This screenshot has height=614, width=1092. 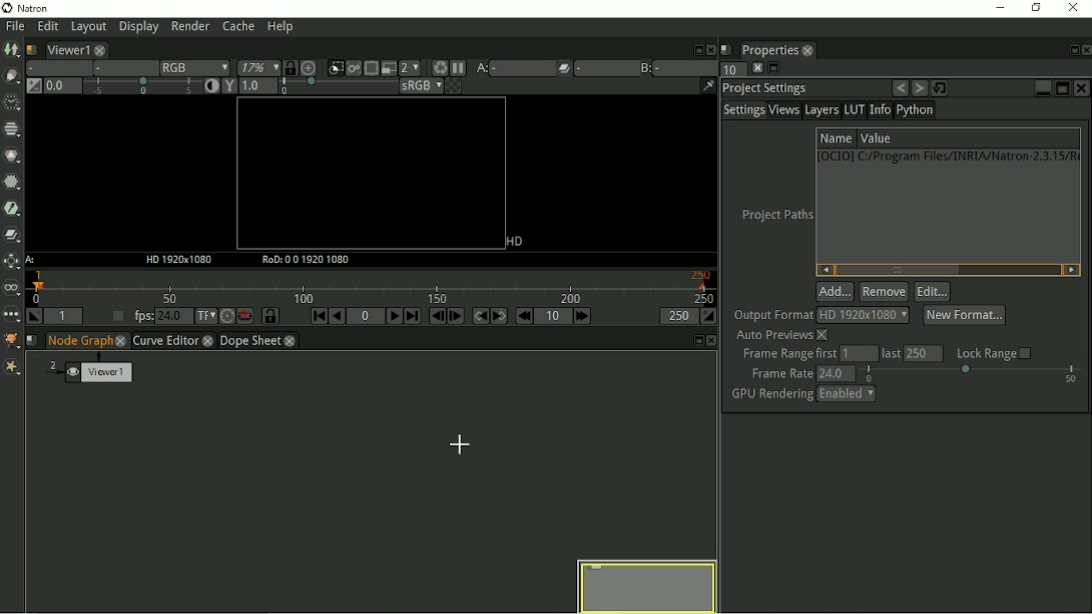 What do you see at coordinates (31, 48) in the screenshot?
I see `Script name` at bounding box center [31, 48].